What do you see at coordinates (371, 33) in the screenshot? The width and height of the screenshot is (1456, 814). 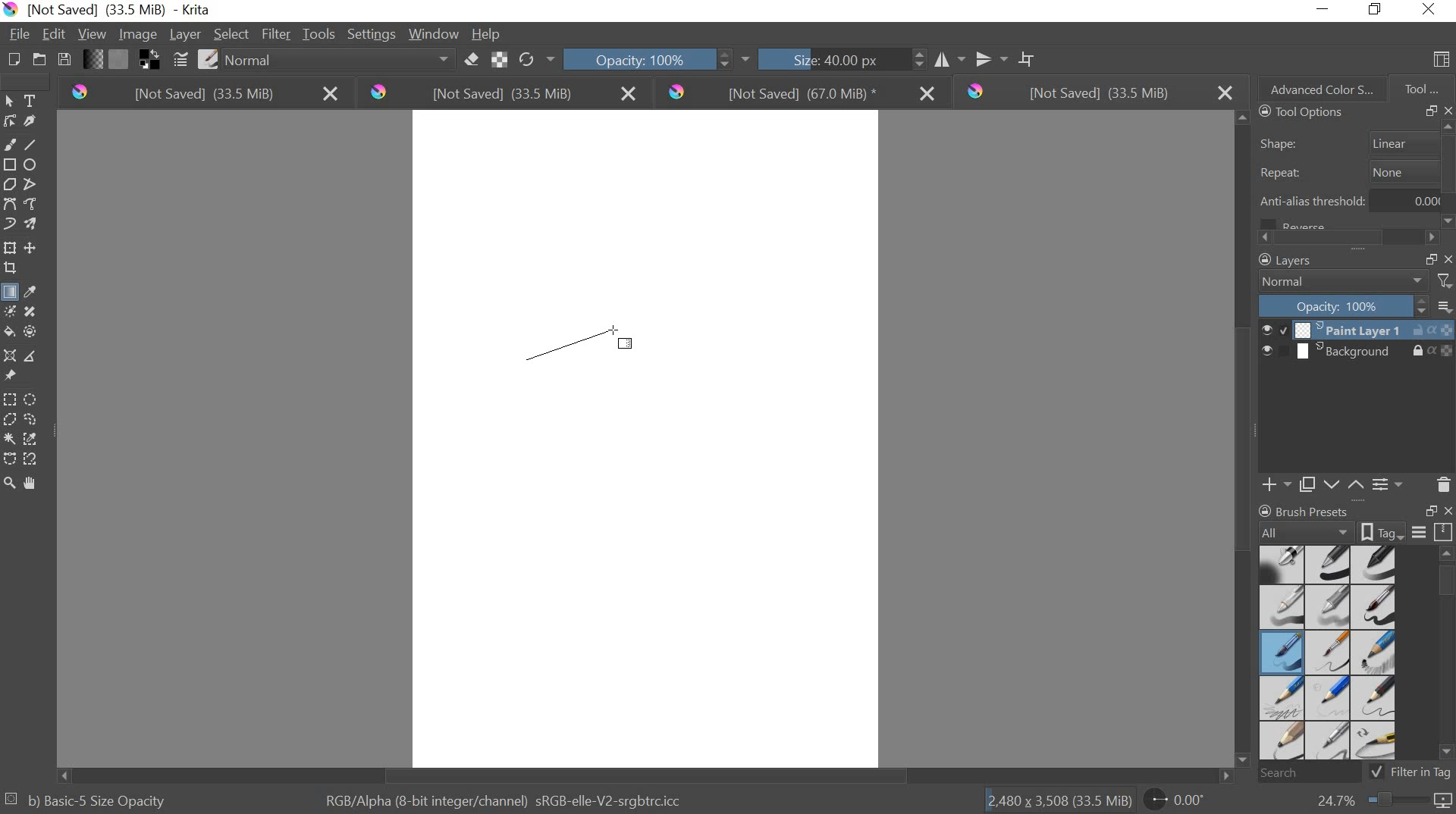 I see `SETTINGS` at bounding box center [371, 33].